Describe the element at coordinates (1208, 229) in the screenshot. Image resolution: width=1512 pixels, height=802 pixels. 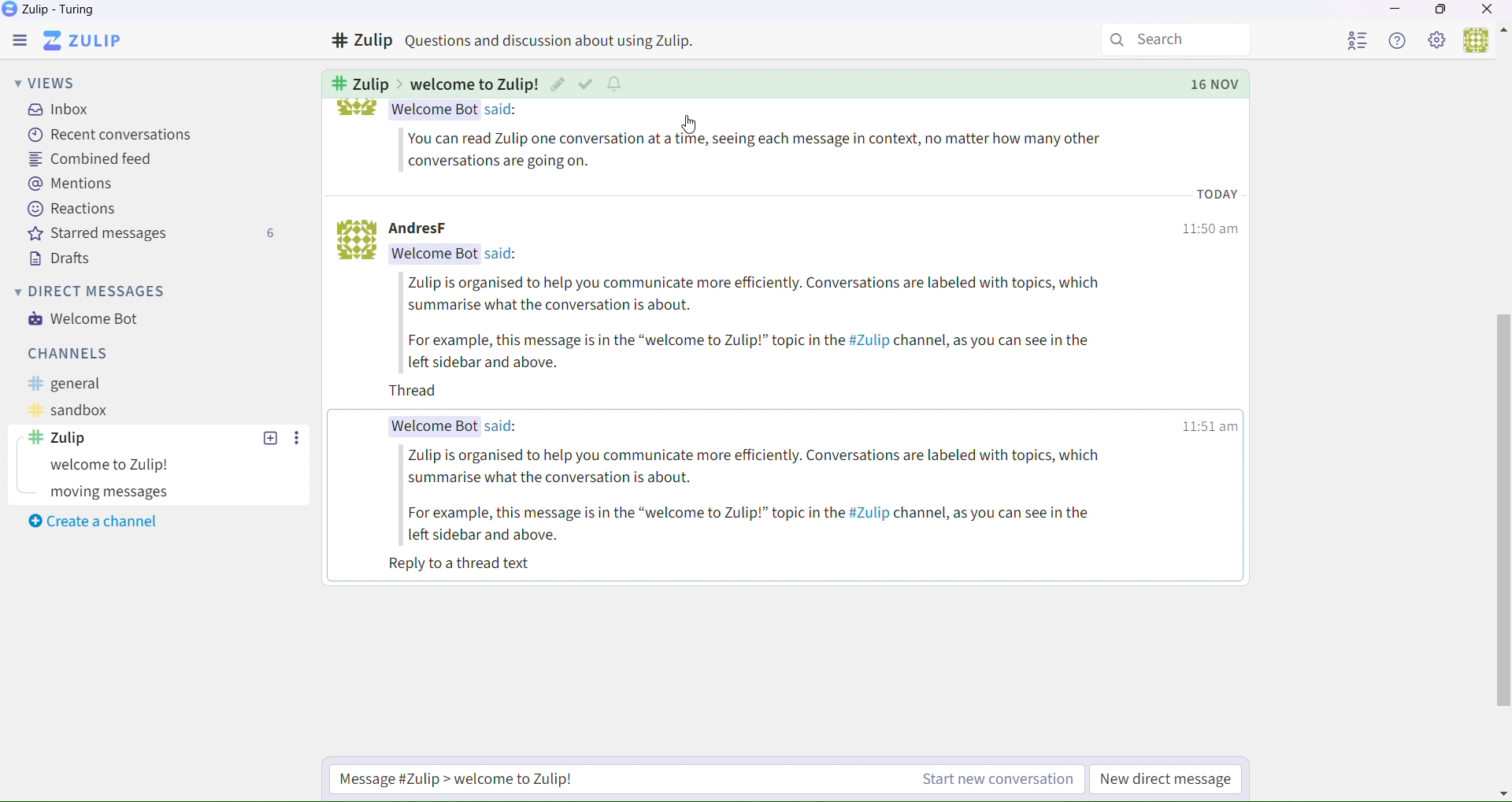
I see `12:21 pm` at that location.